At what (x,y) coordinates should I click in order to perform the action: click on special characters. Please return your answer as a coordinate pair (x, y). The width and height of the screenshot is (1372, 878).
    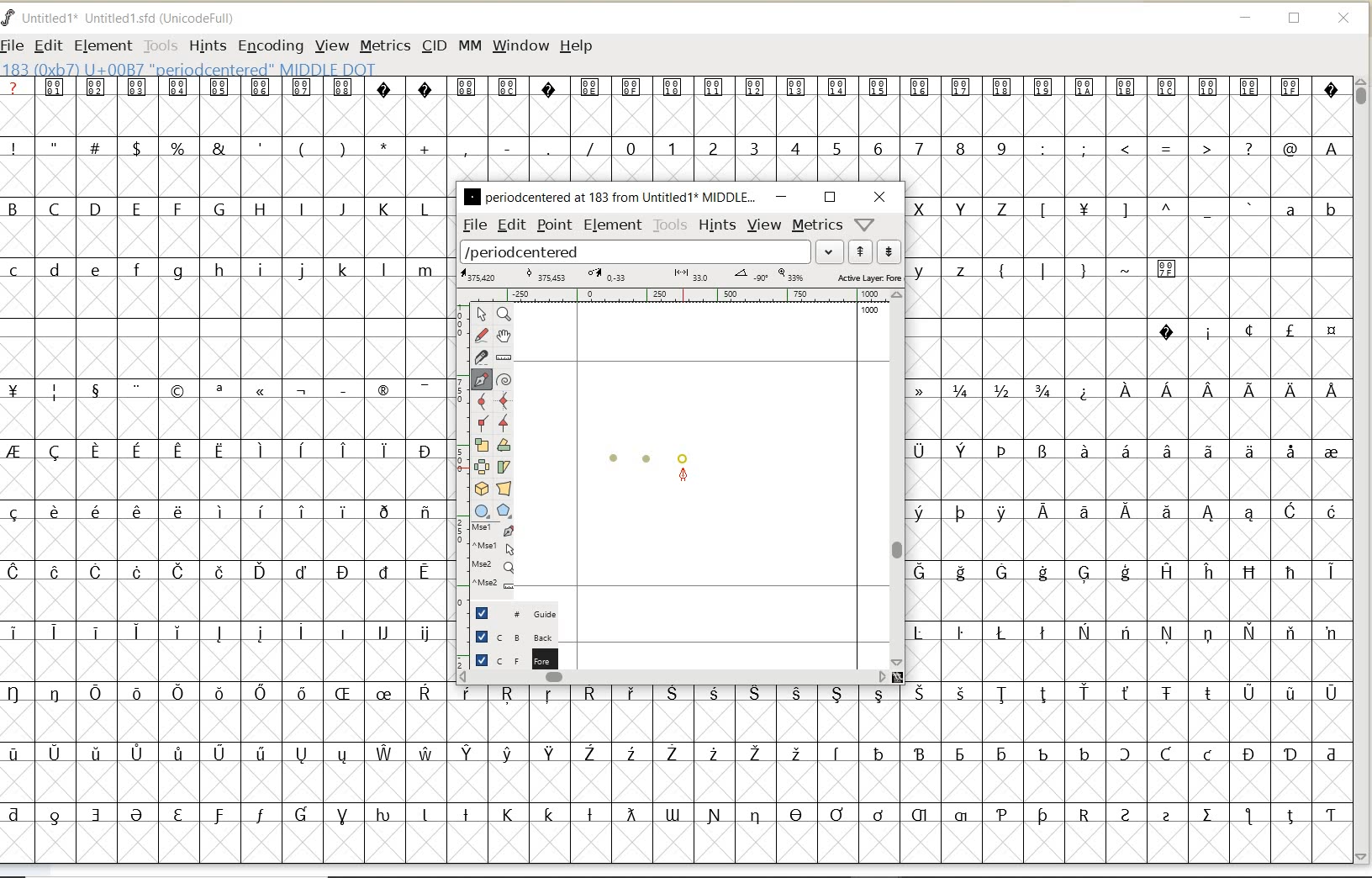
    Looking at the image, I should click on (895, 761).